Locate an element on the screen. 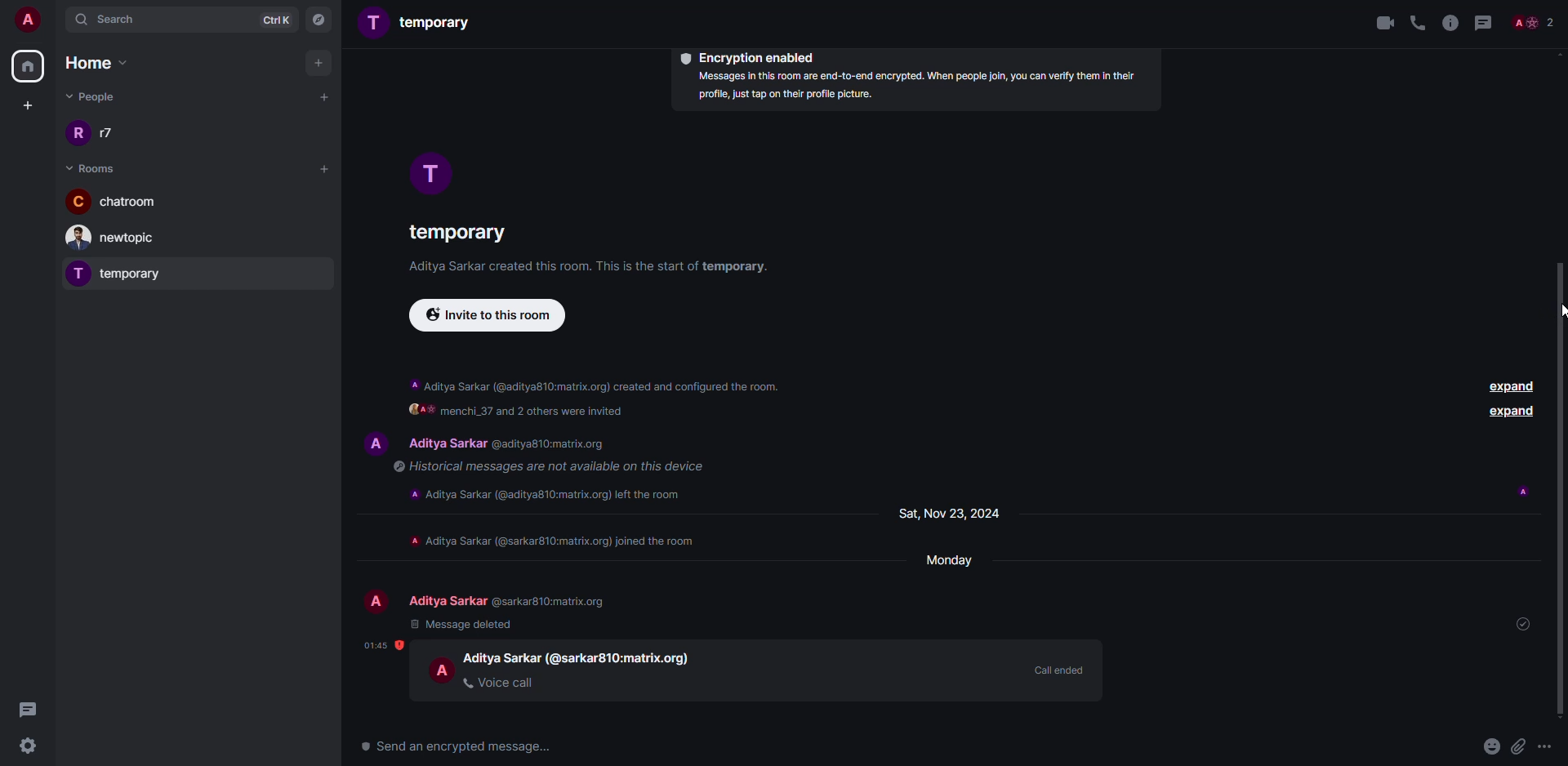 The height and width of the screenshot is (766, 1568). expand is located at coordinates (1512, 389).